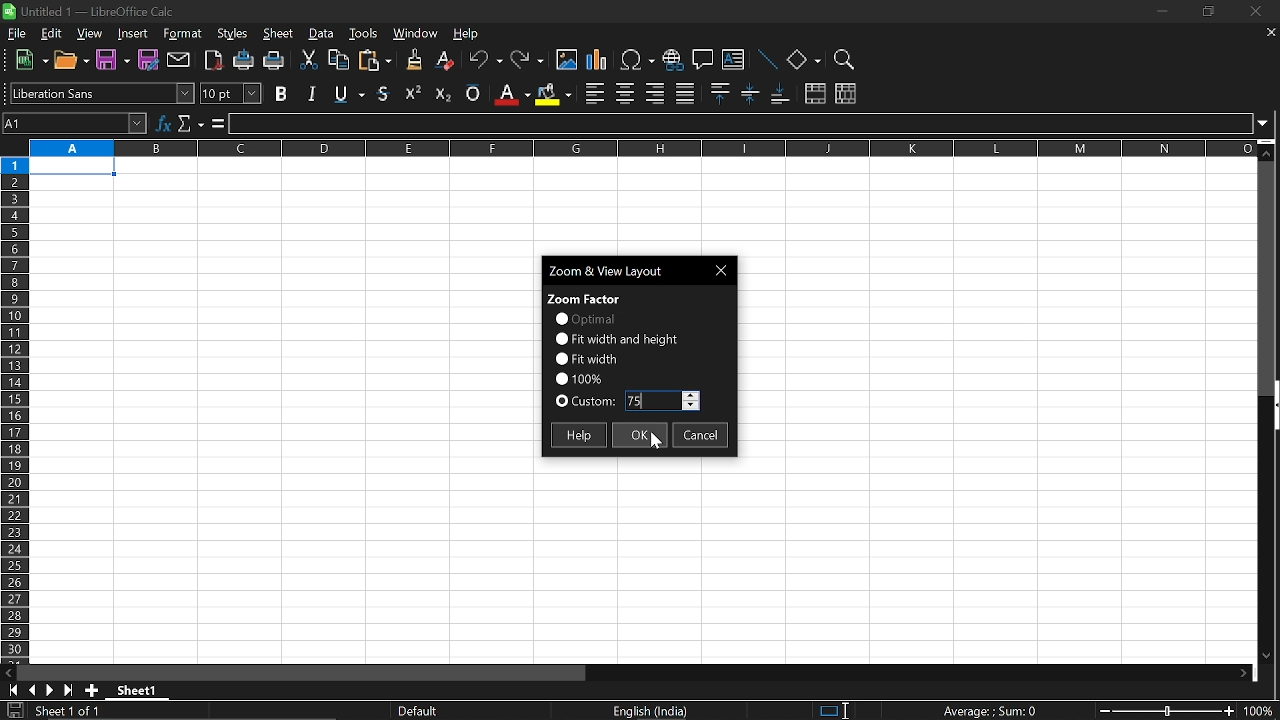  What do you see at coordinates (385, 93) in the screenshot?
I see `underline` at bounding box center [385, 93].